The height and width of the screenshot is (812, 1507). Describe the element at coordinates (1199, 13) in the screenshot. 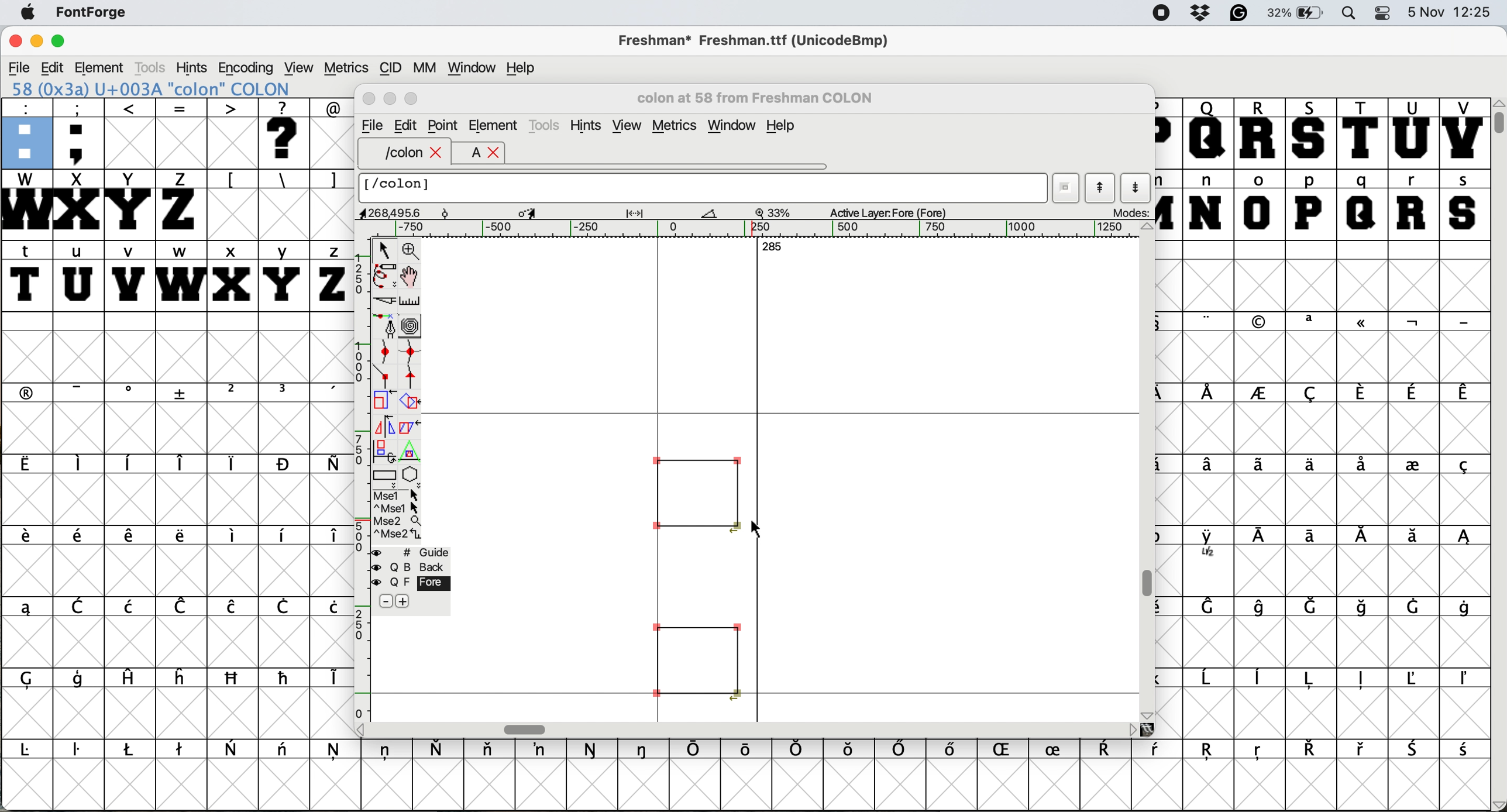

I see `dropbox` at that location.